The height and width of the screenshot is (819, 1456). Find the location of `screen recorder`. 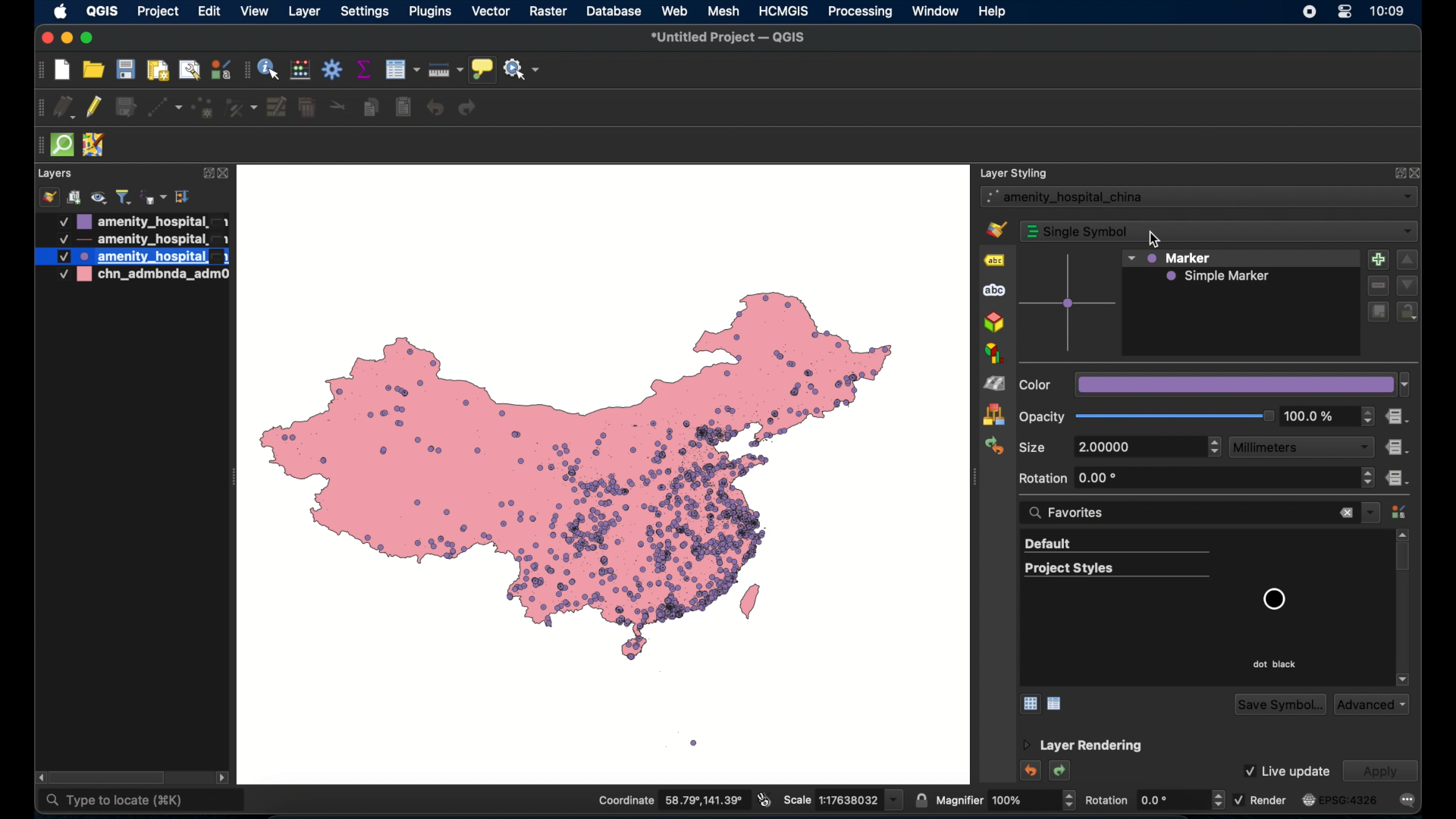

screen recorder is located at coordinates (1307, 13).